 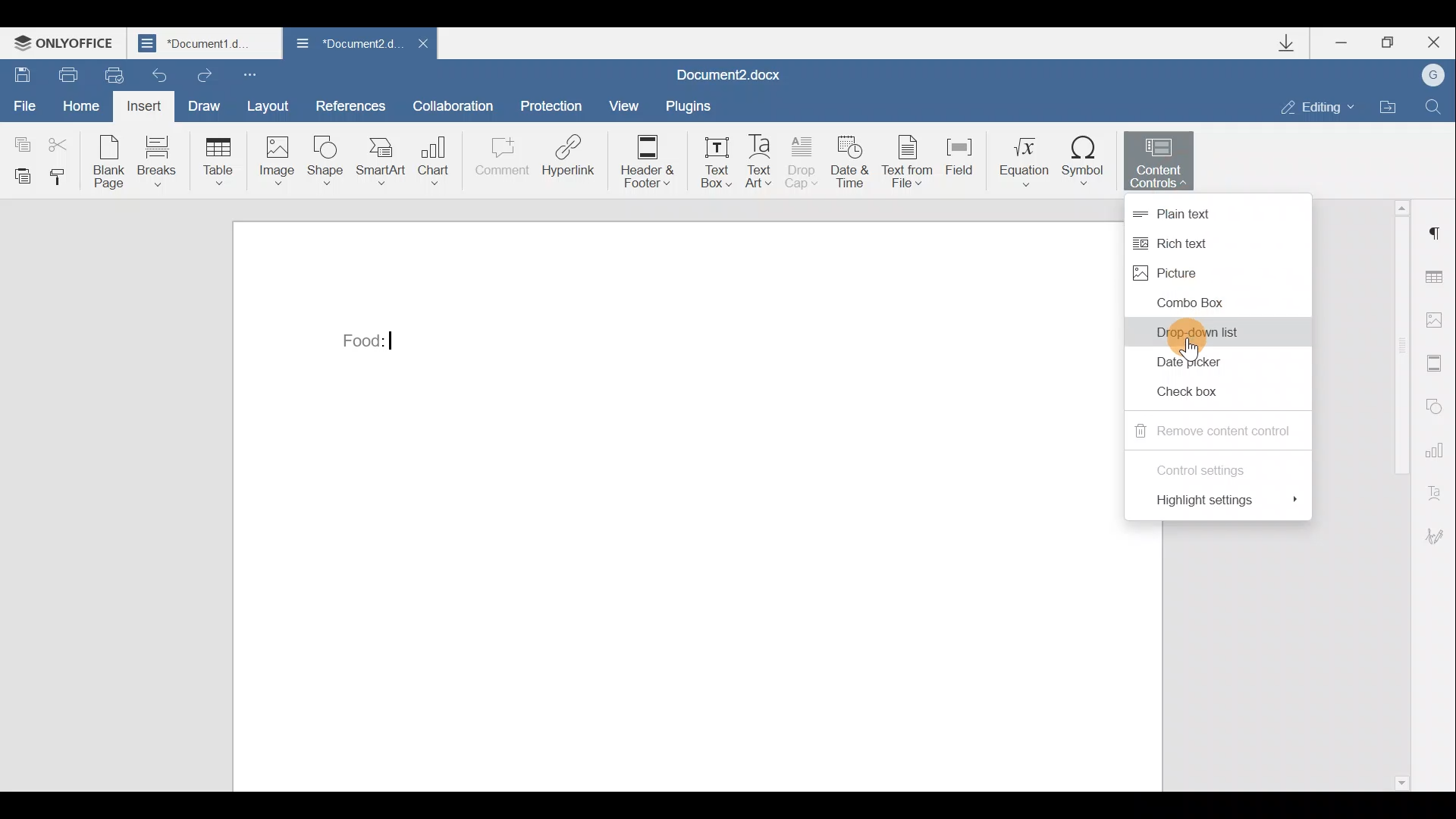 I want to click on Equation, so click(x=1022, y=158).